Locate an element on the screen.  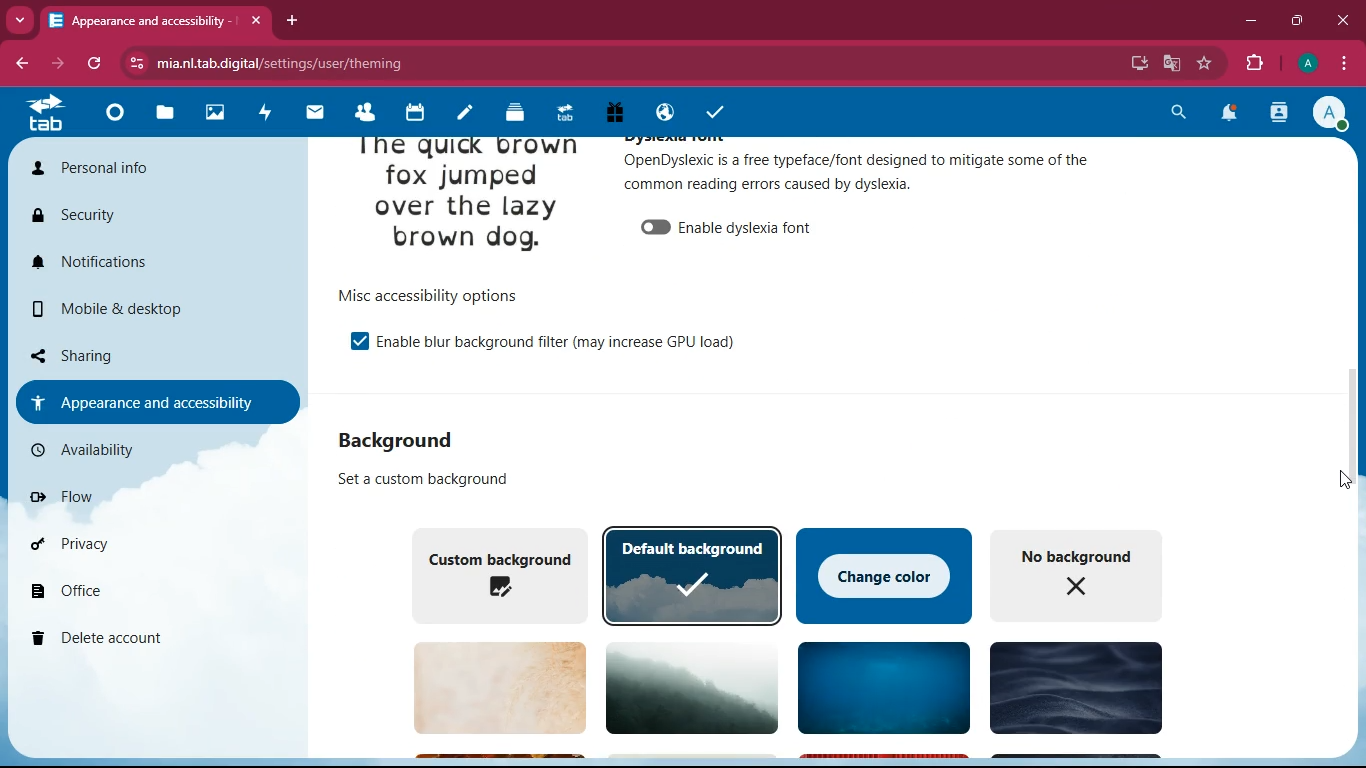
tab is located at coordinates (46, 113).